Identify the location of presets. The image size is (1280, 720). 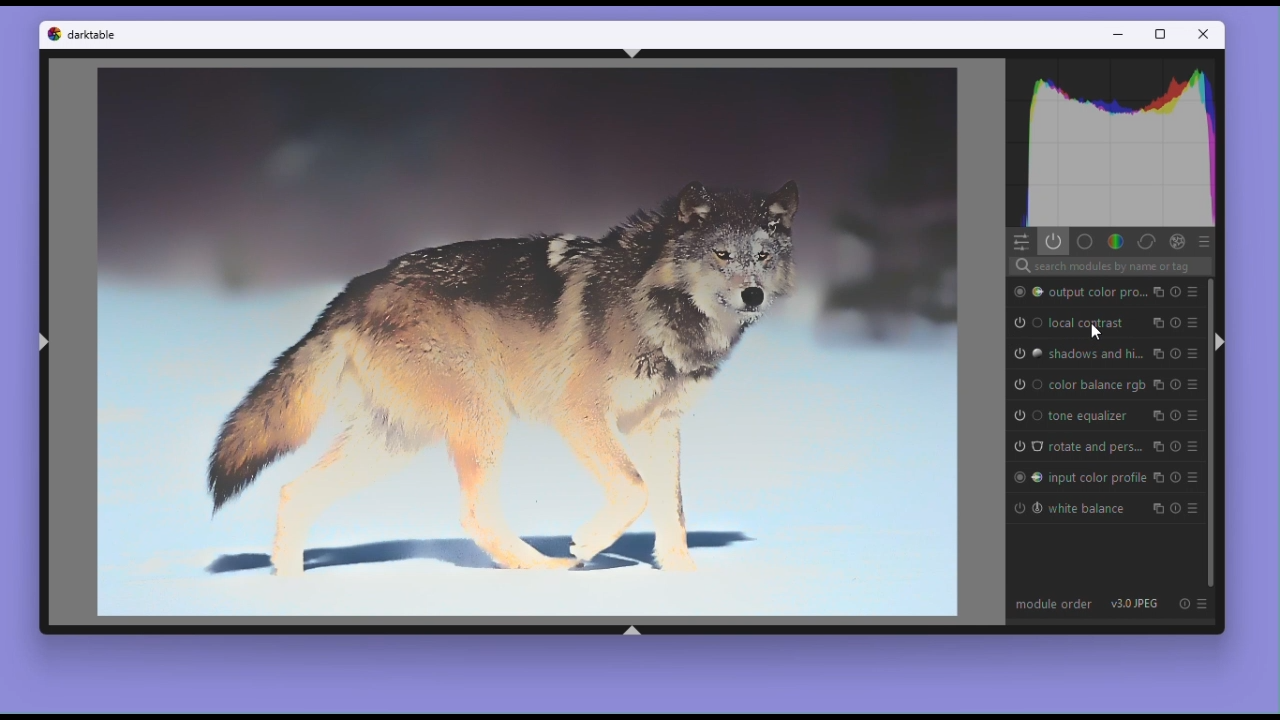
(1190, 353).